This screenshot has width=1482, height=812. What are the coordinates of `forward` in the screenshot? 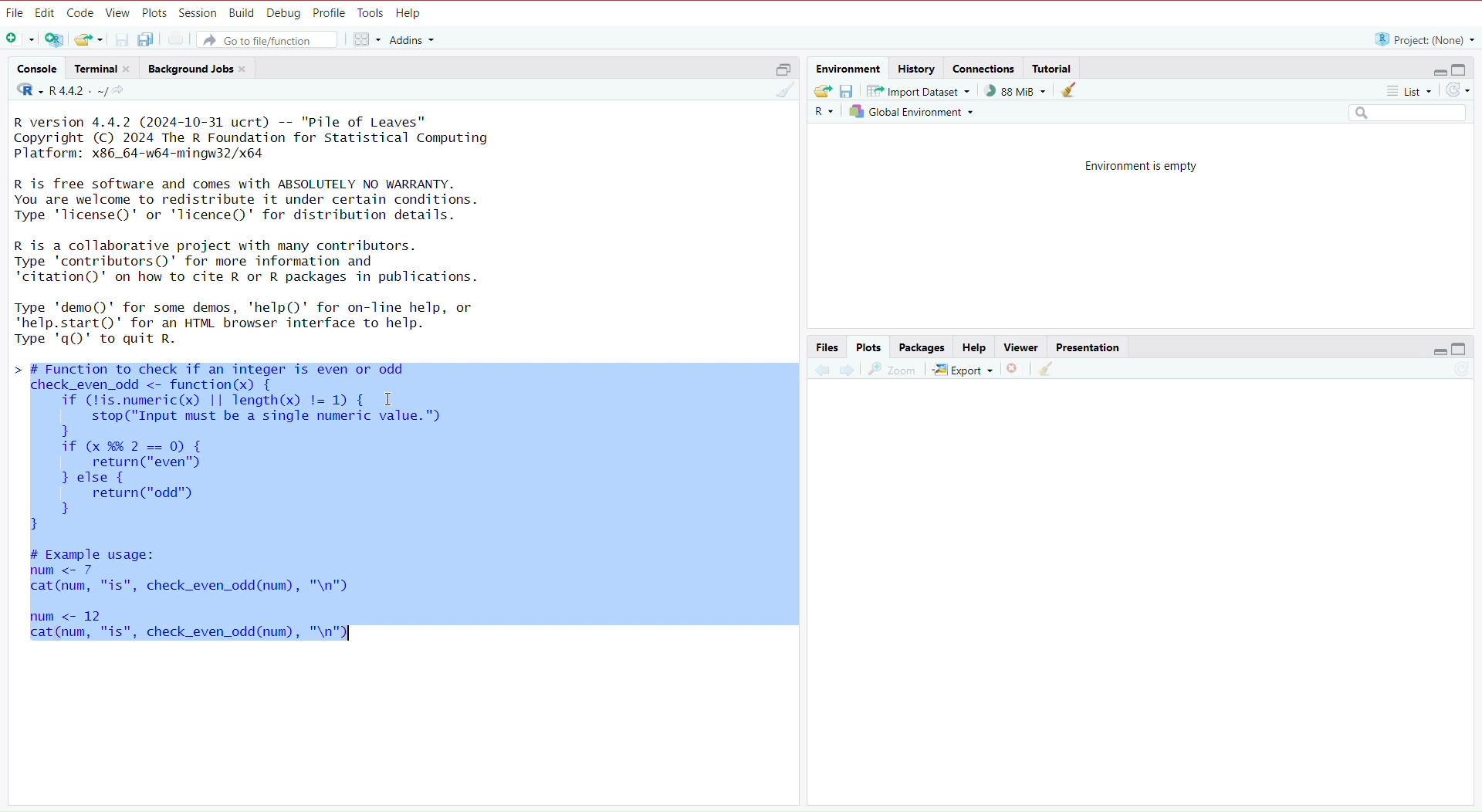 It's located at (847, 373).